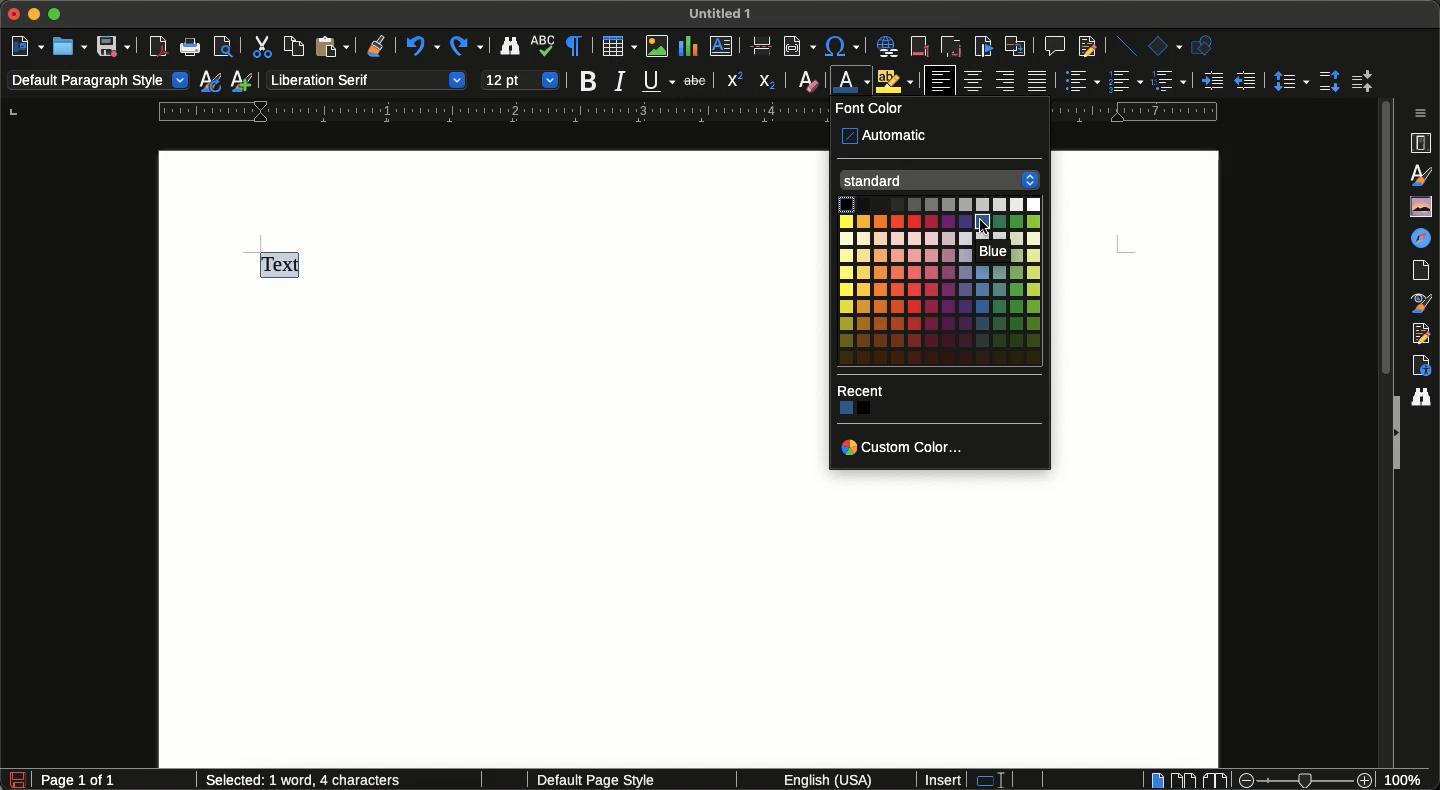 This screenshot has width=1440, height=790. I want to click on Undo, so click(420, 49).